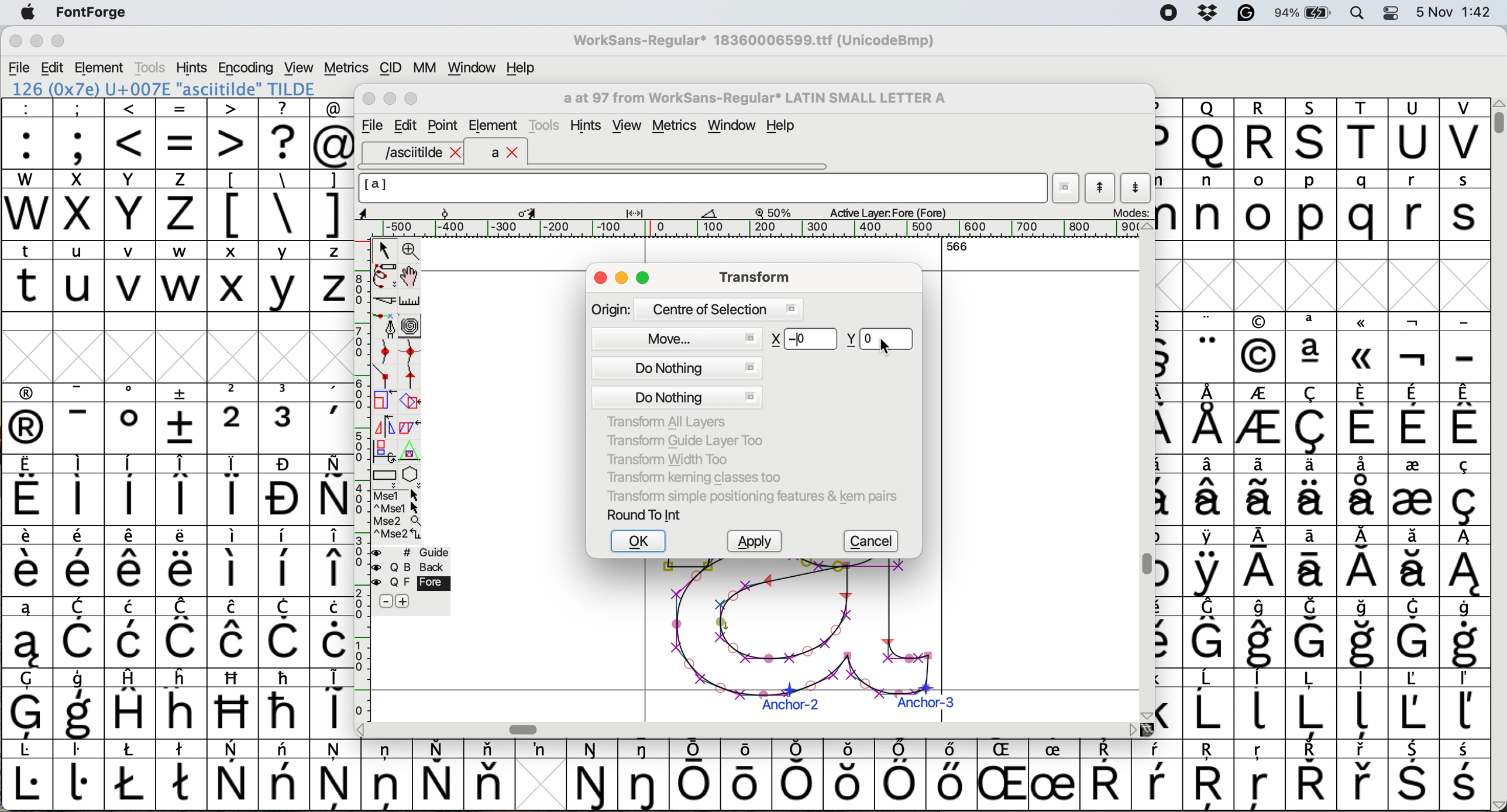  What do you see at coordinates (232, 632) in the screenshot?
I see `symbol` at bounding box center [232, 632].